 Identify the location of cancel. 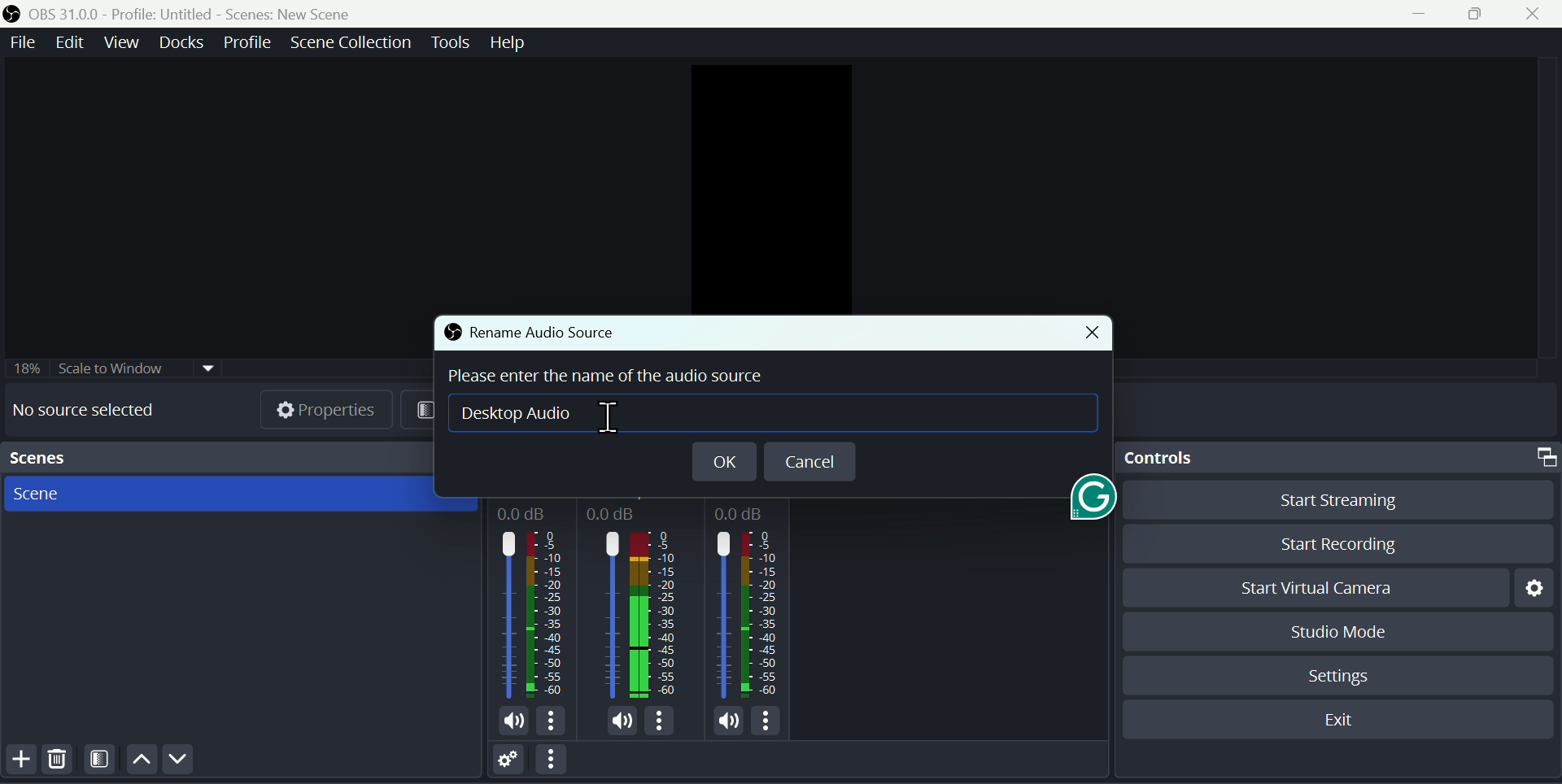
(808, 460).